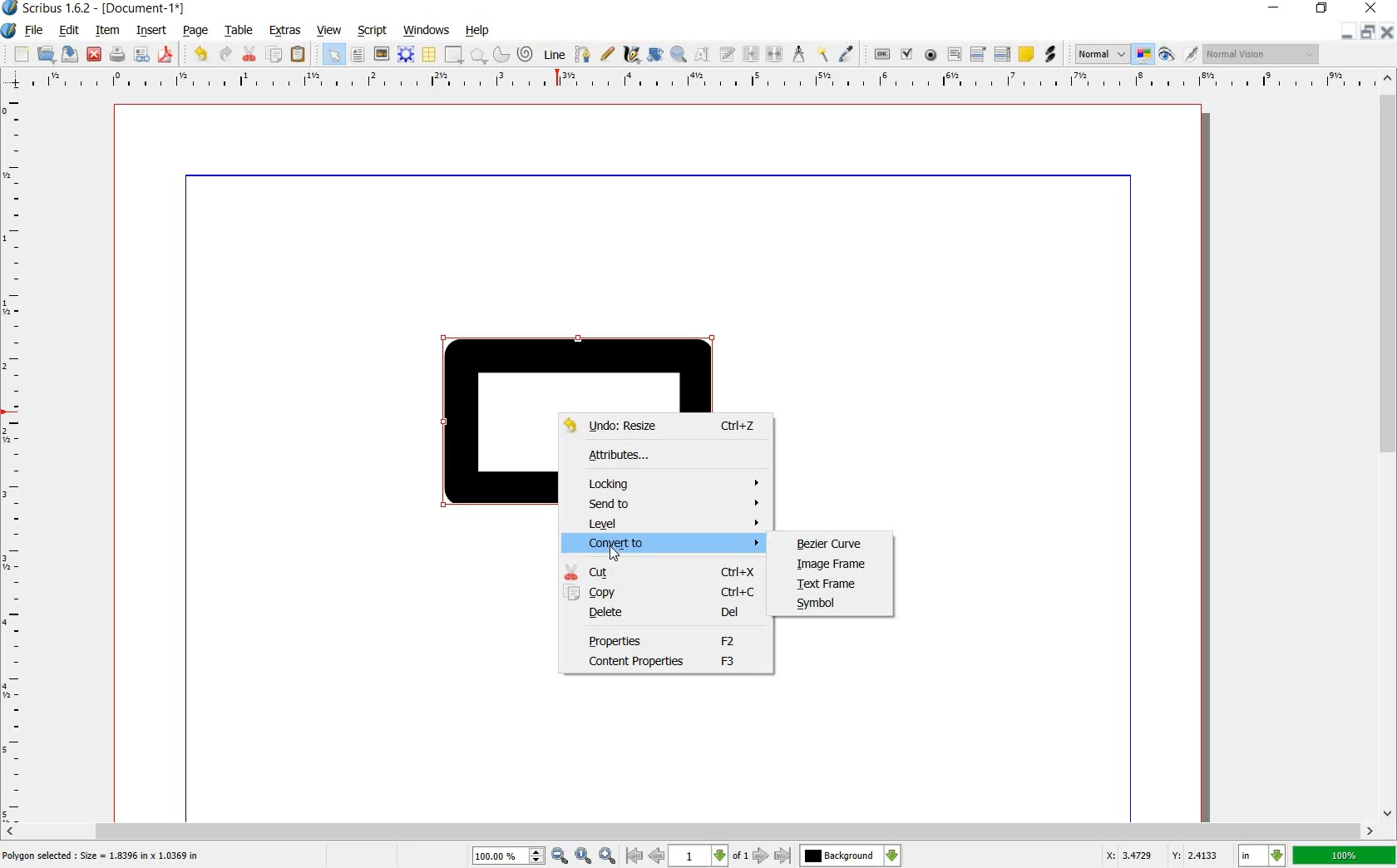 This screenshot has width=1397, height=868. Describe the element at coordinates (1275, 8) in the screenshot. I see `minimize` at that location.